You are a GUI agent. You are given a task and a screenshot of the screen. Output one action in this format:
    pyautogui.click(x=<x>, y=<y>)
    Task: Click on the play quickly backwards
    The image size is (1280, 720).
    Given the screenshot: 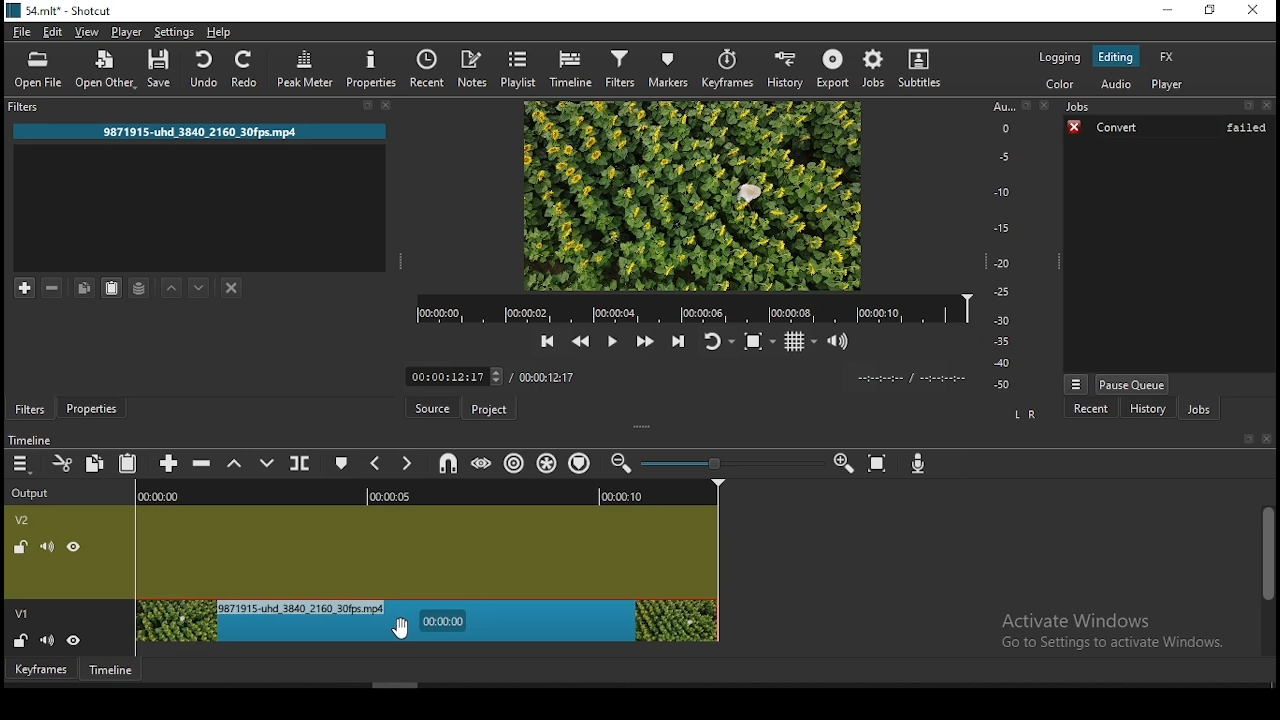 What is the action you would take?
    pyautogui.click(x=582, y=342)
    